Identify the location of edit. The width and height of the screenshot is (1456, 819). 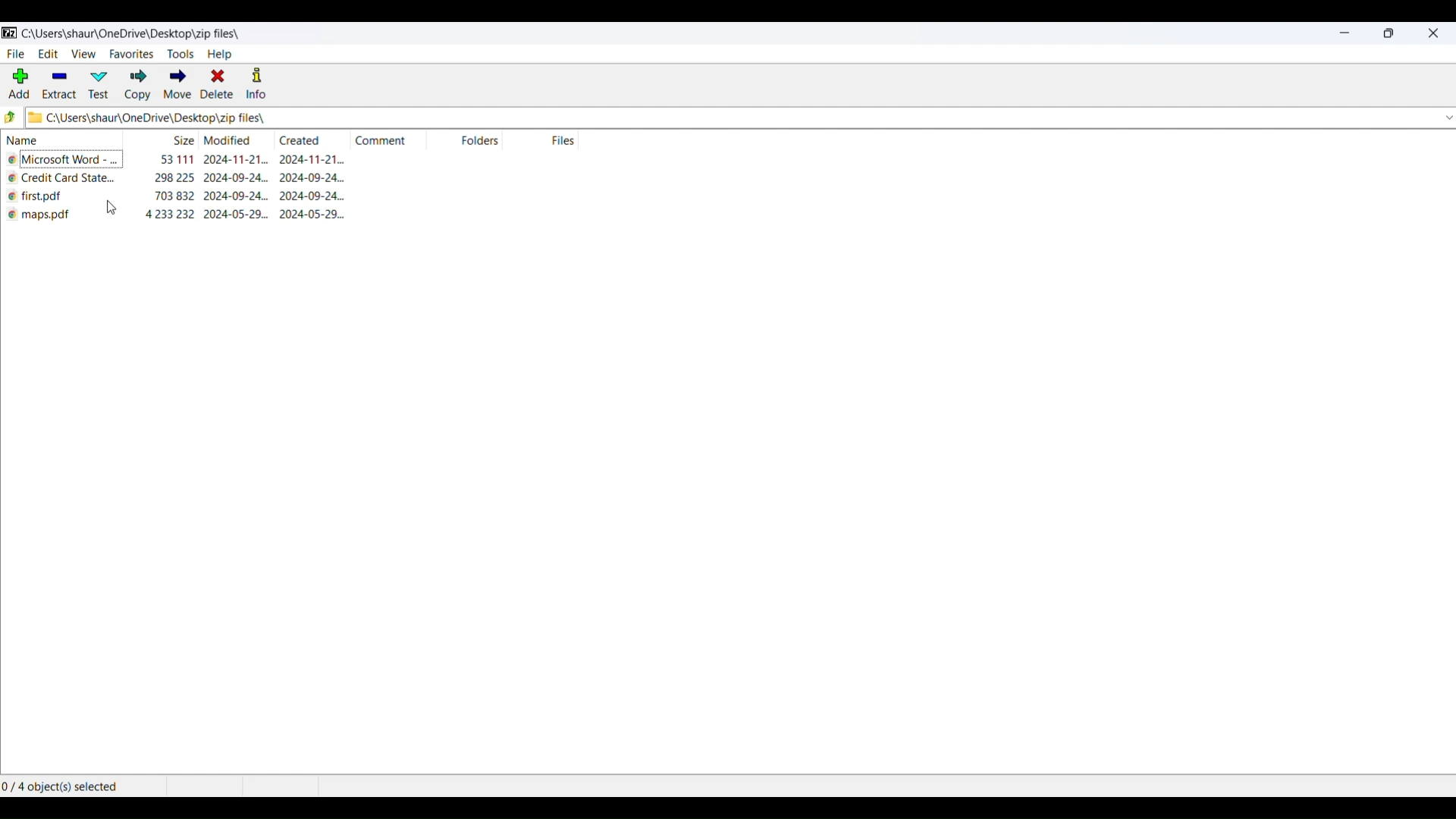
(48, 55).